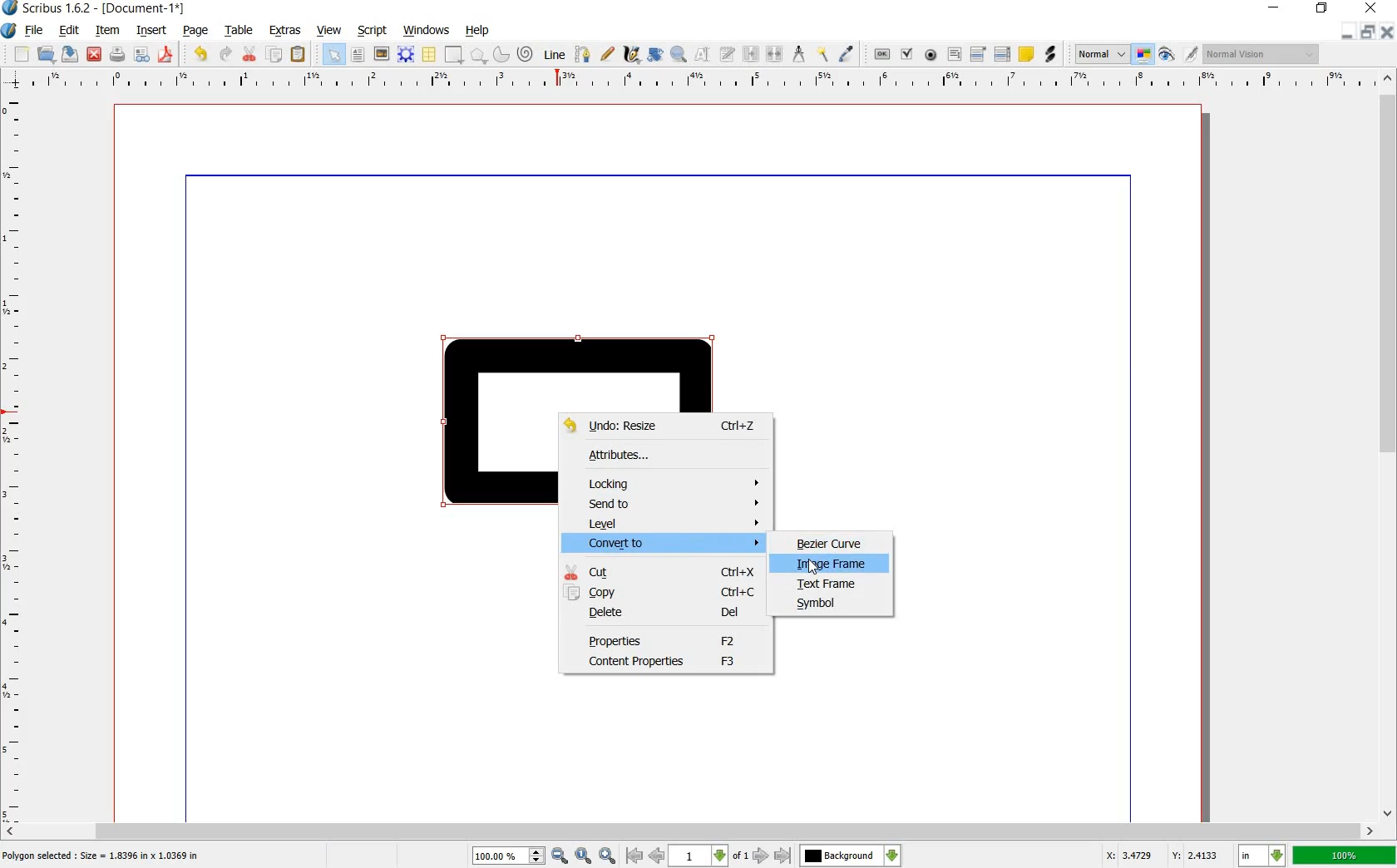 The image size is (1397, 868). What do you see at coordinates (501, 459) in the screenshot?
I see `hape` at bounding box center [501, 459].